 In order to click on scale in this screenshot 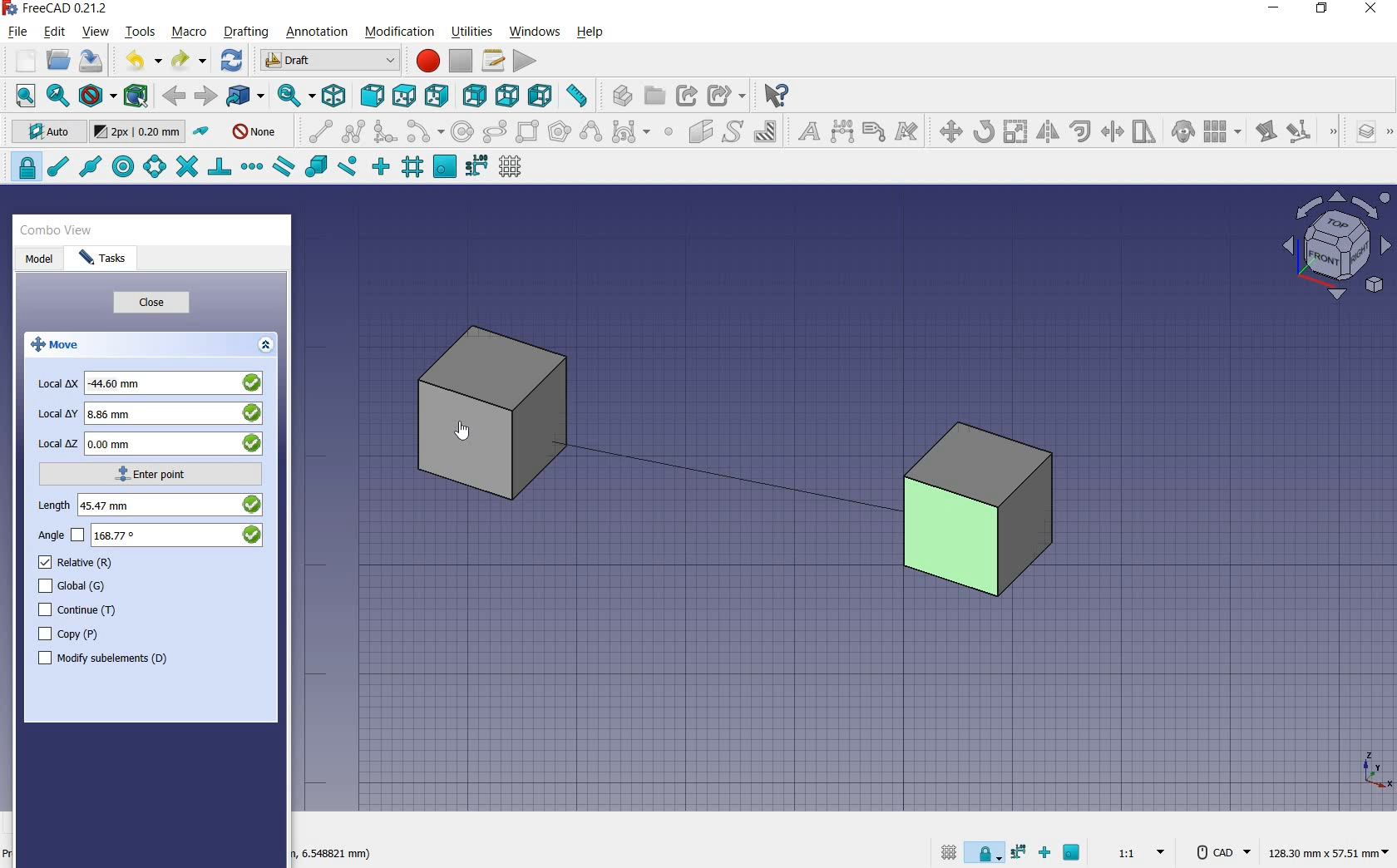, I will do `click(1016, 131)`.